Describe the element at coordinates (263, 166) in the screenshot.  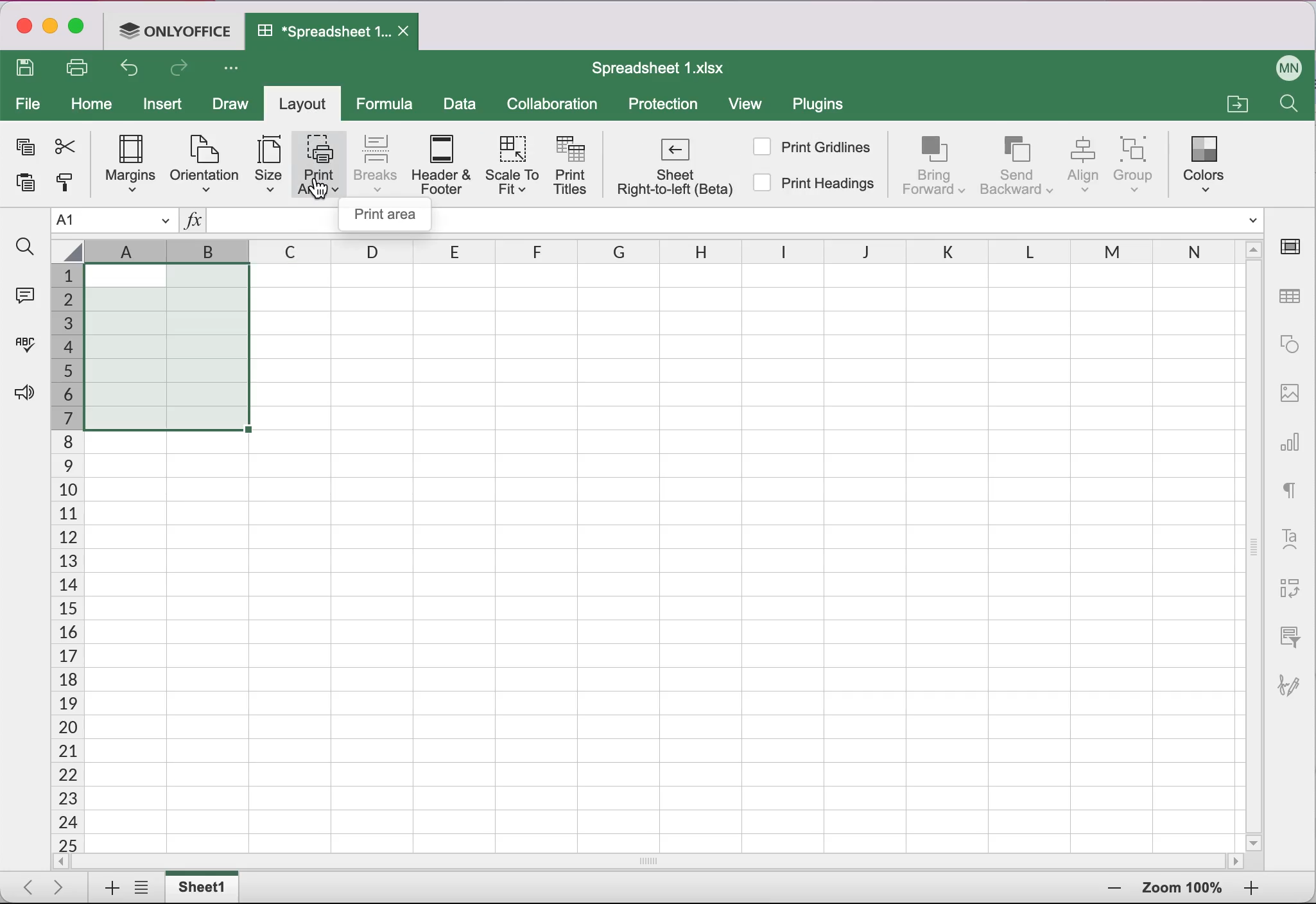
I see `Size` at that location.